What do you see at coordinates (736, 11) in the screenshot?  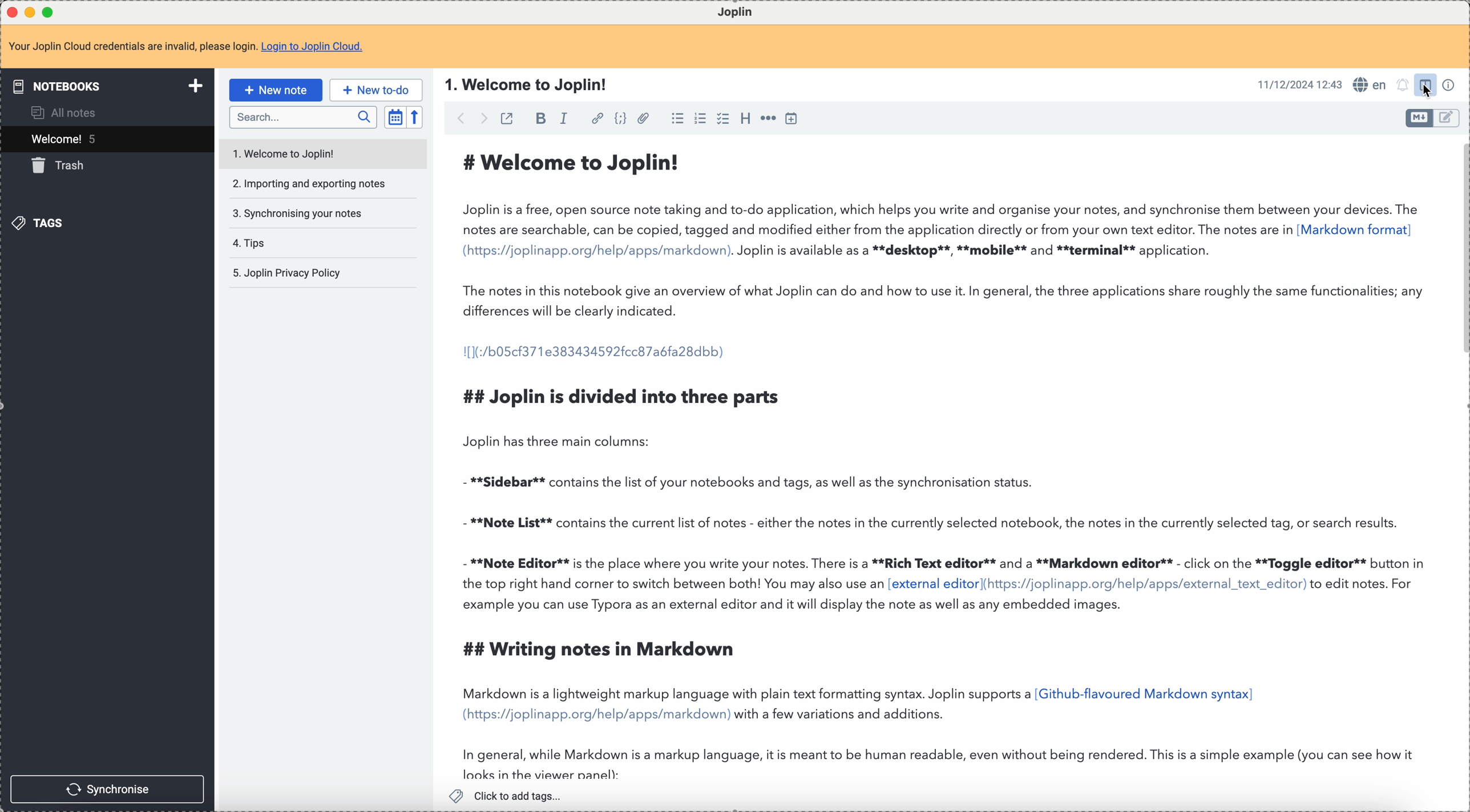 I see `Joplin` at bounding box center [736, 11].